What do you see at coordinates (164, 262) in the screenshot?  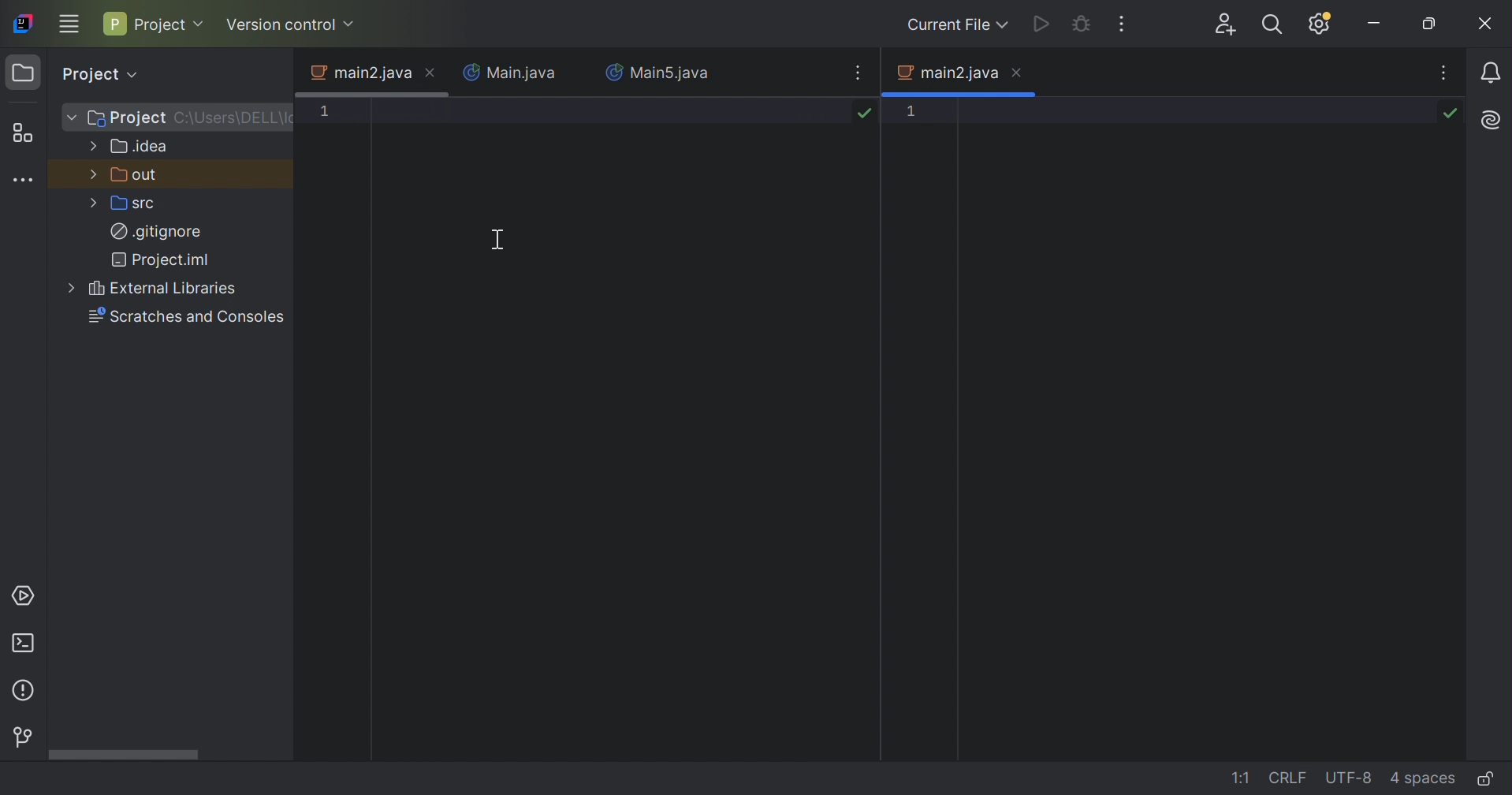 I see `Project.iml` at bounding box center [164, 262].